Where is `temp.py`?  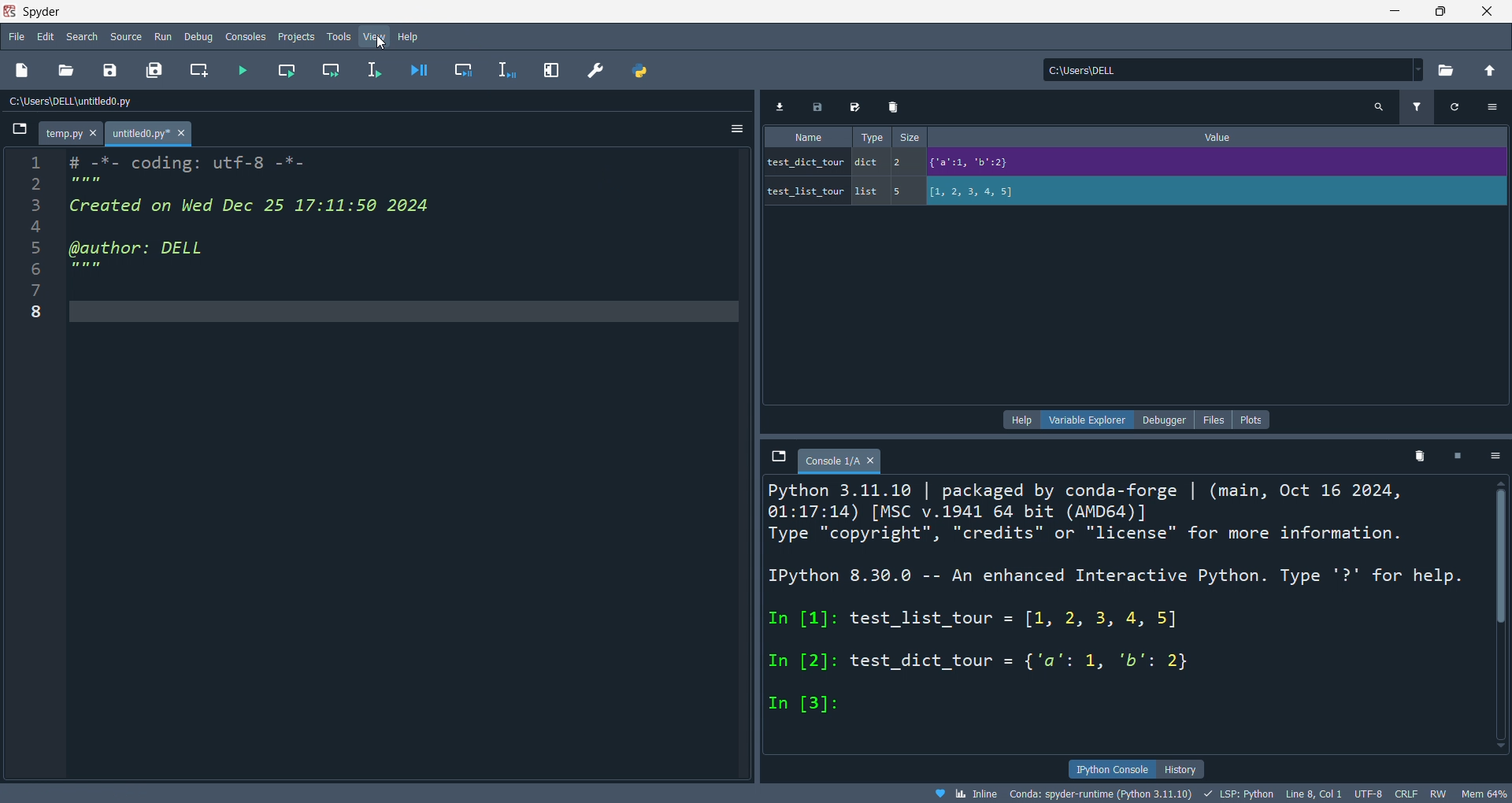 temp.py is located at coordinates (73, 135).